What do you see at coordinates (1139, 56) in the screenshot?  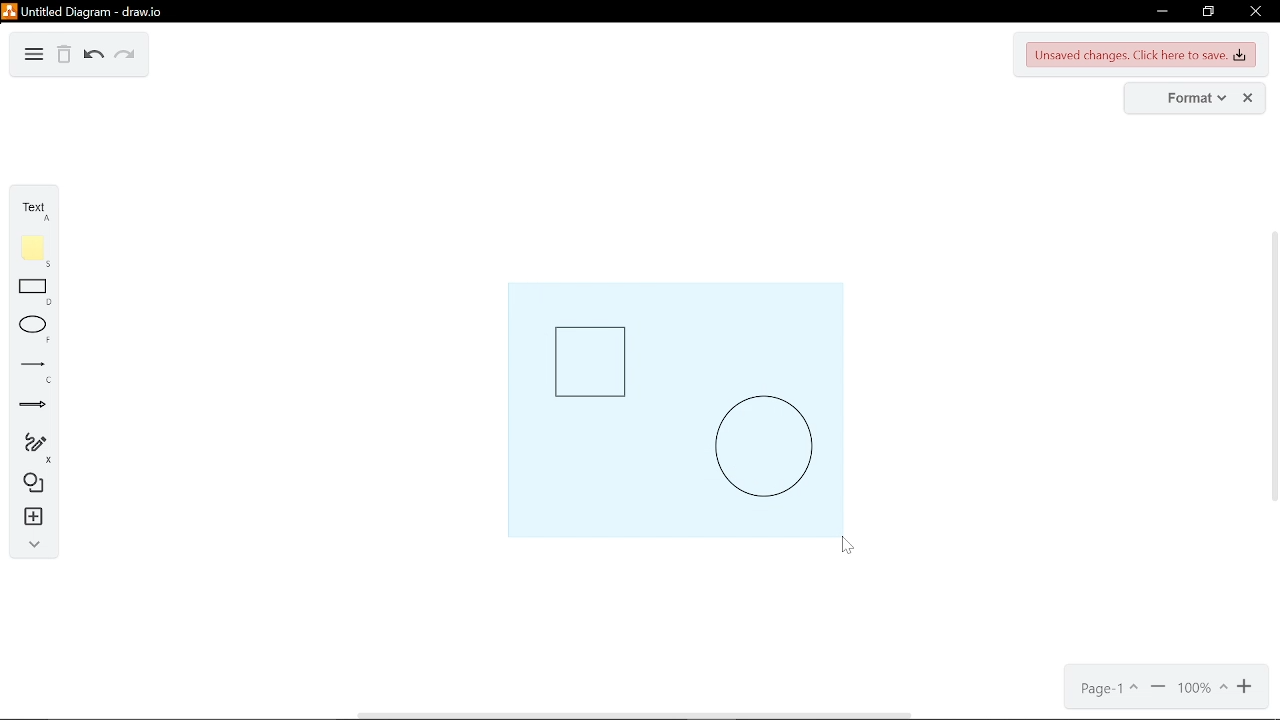 I see `unsaved changes. Click here to save` at bounding box center [1139, 56].